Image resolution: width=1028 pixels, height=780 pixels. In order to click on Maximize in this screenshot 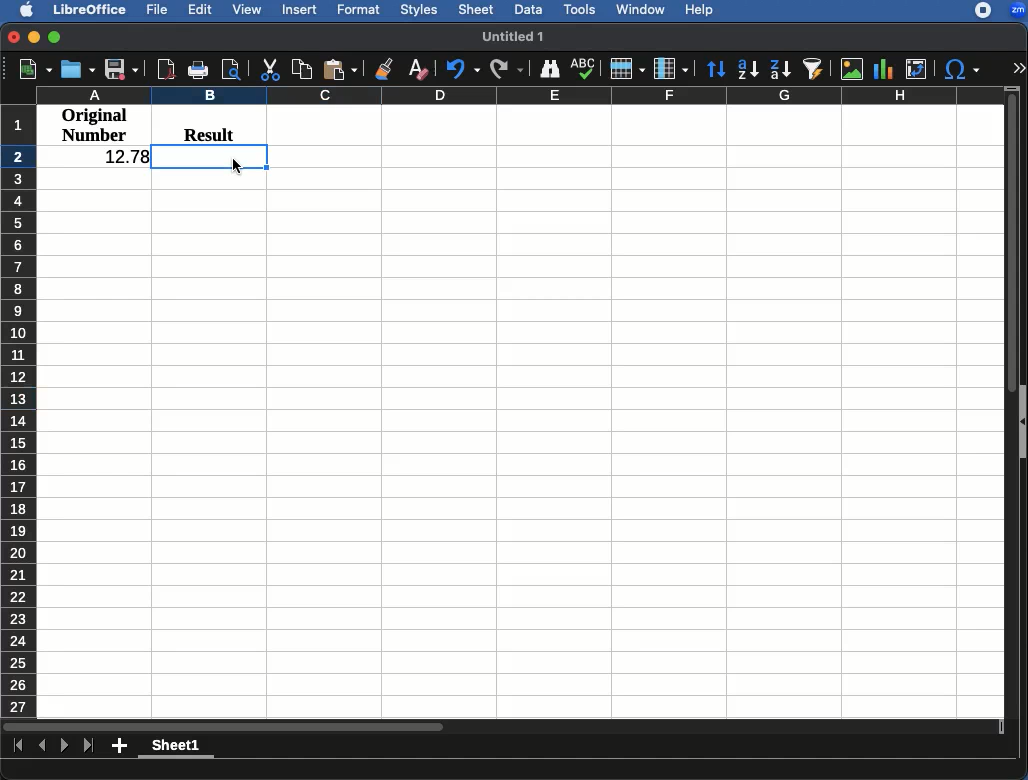, I will do `click(56, 39)`.